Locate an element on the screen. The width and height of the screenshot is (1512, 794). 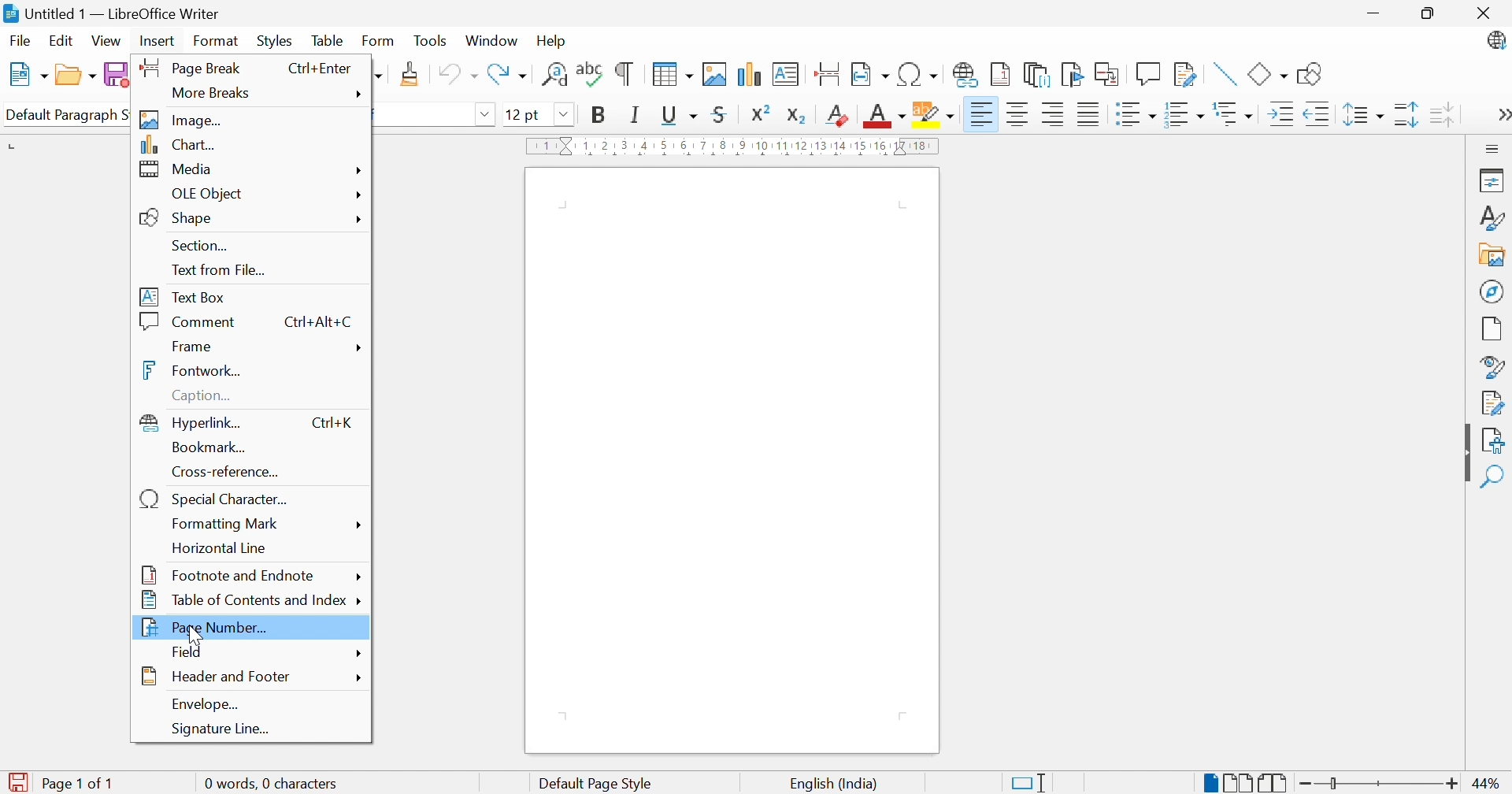
Frame is located at coordinates (194, 346).